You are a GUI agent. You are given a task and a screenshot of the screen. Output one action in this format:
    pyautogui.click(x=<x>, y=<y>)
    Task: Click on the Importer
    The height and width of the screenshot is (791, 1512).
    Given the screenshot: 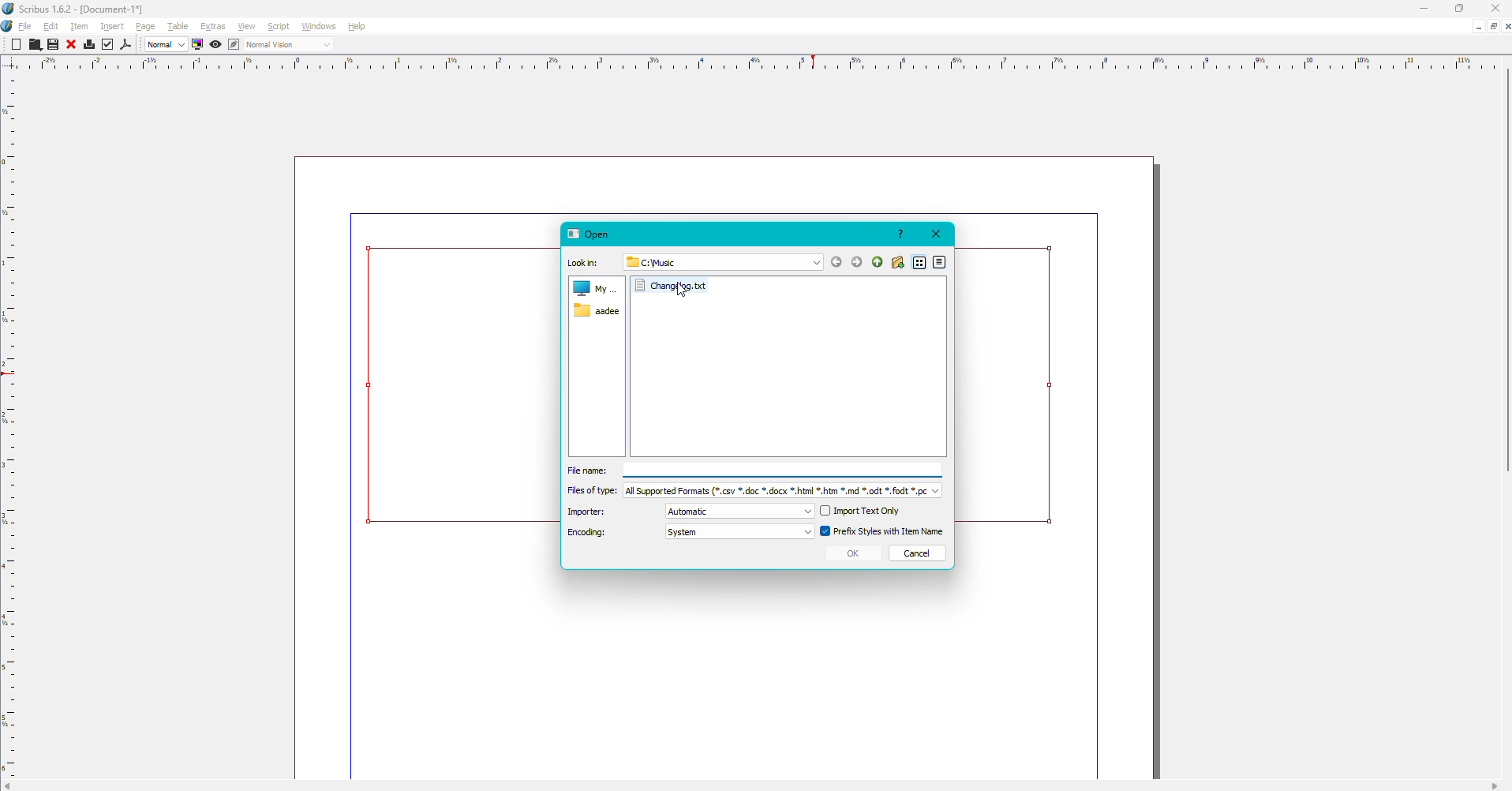 What is the action you would take?
    pyautogui.click(x=690, y=512)
    